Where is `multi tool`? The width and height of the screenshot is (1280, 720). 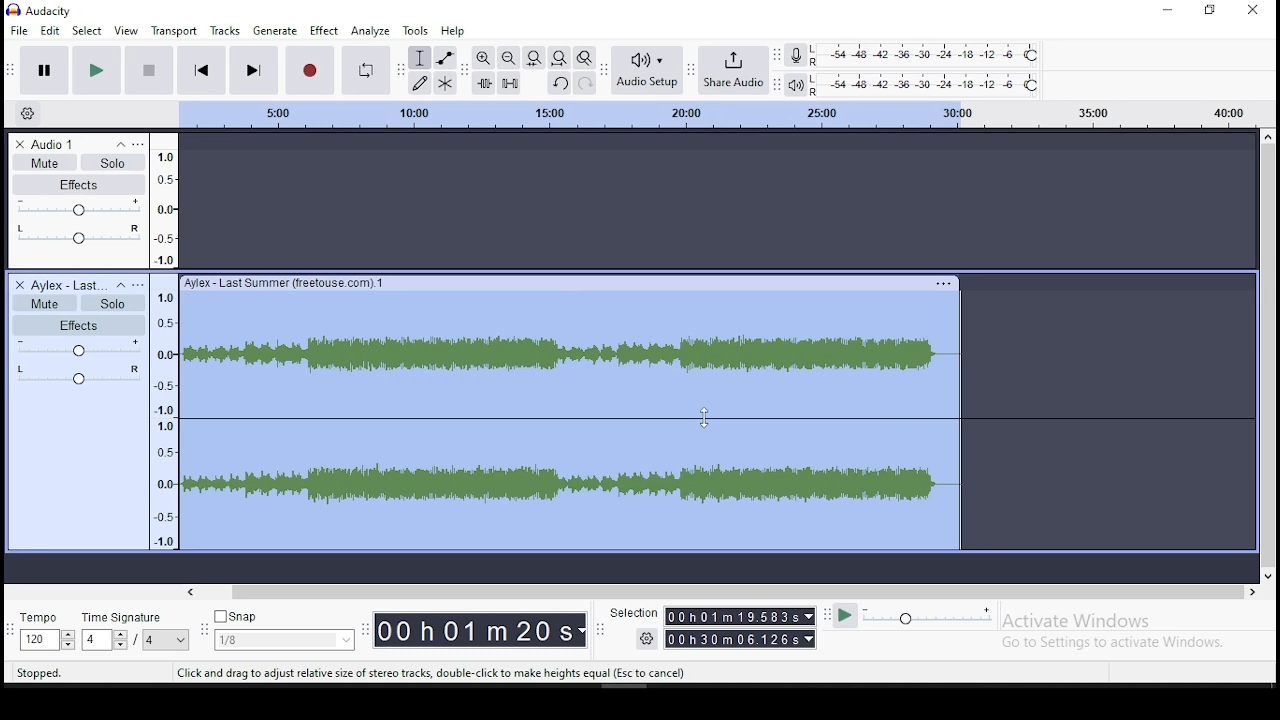 multi tool is located at coordinates (446, 84).